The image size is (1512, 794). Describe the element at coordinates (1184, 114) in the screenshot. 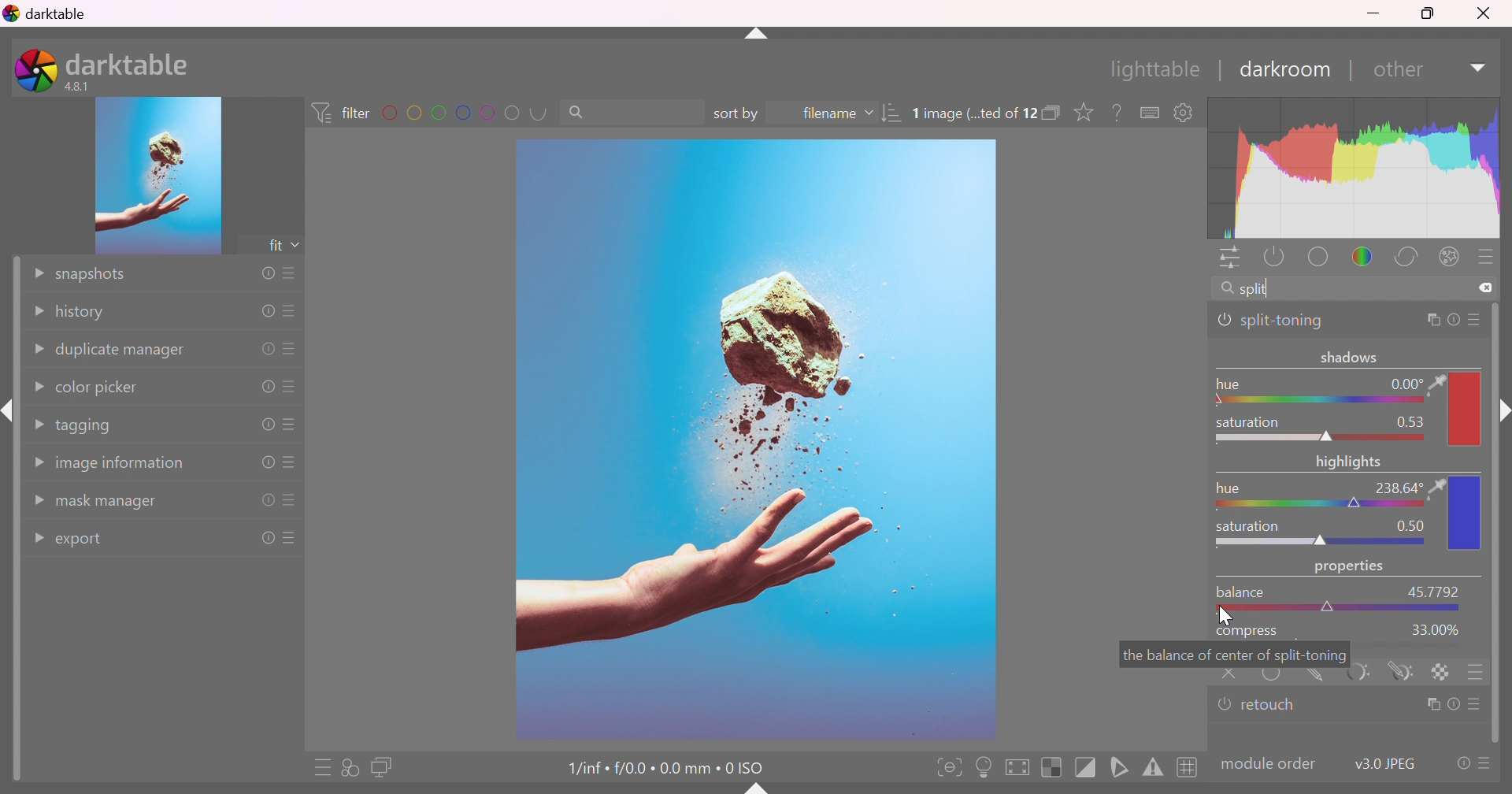

I see `show global preferences` at that location.